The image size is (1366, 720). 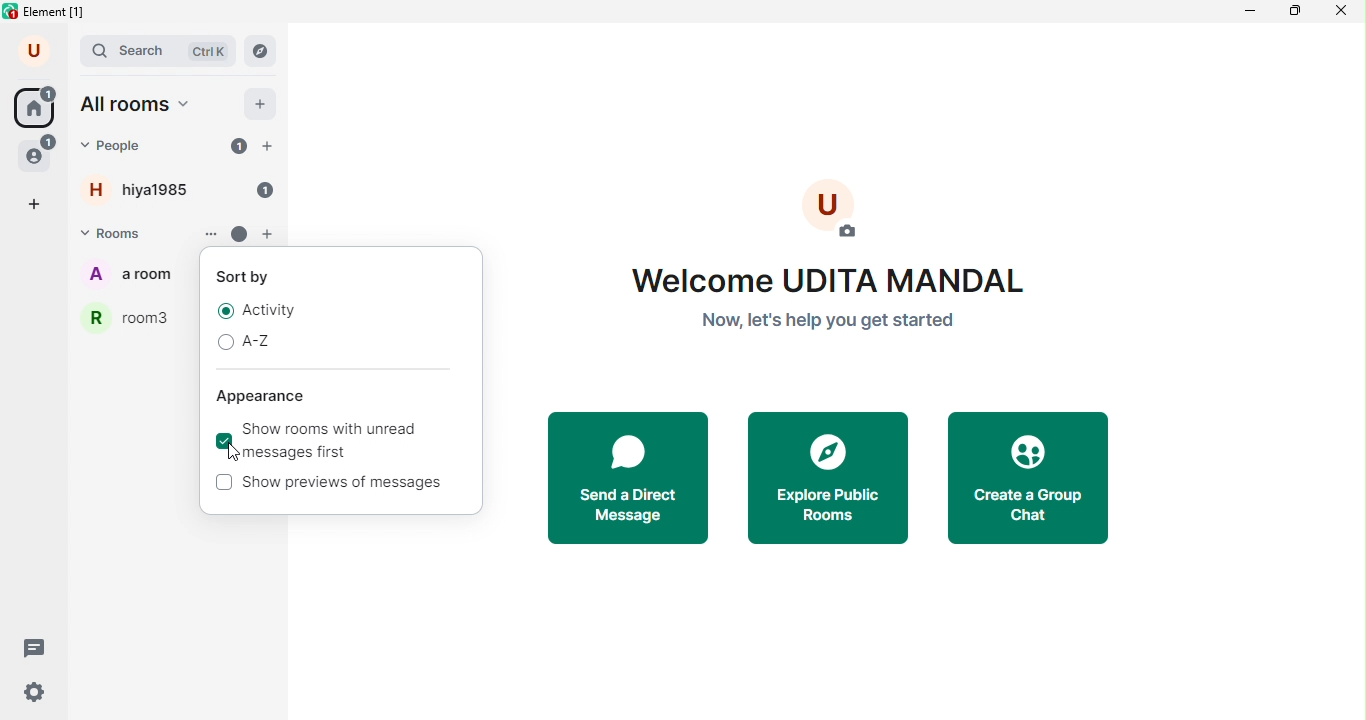 What do you see at coordinates (339, 442) in the screenshot?
I see `show rooms with unread messages first` at bounding box center [339, 442].